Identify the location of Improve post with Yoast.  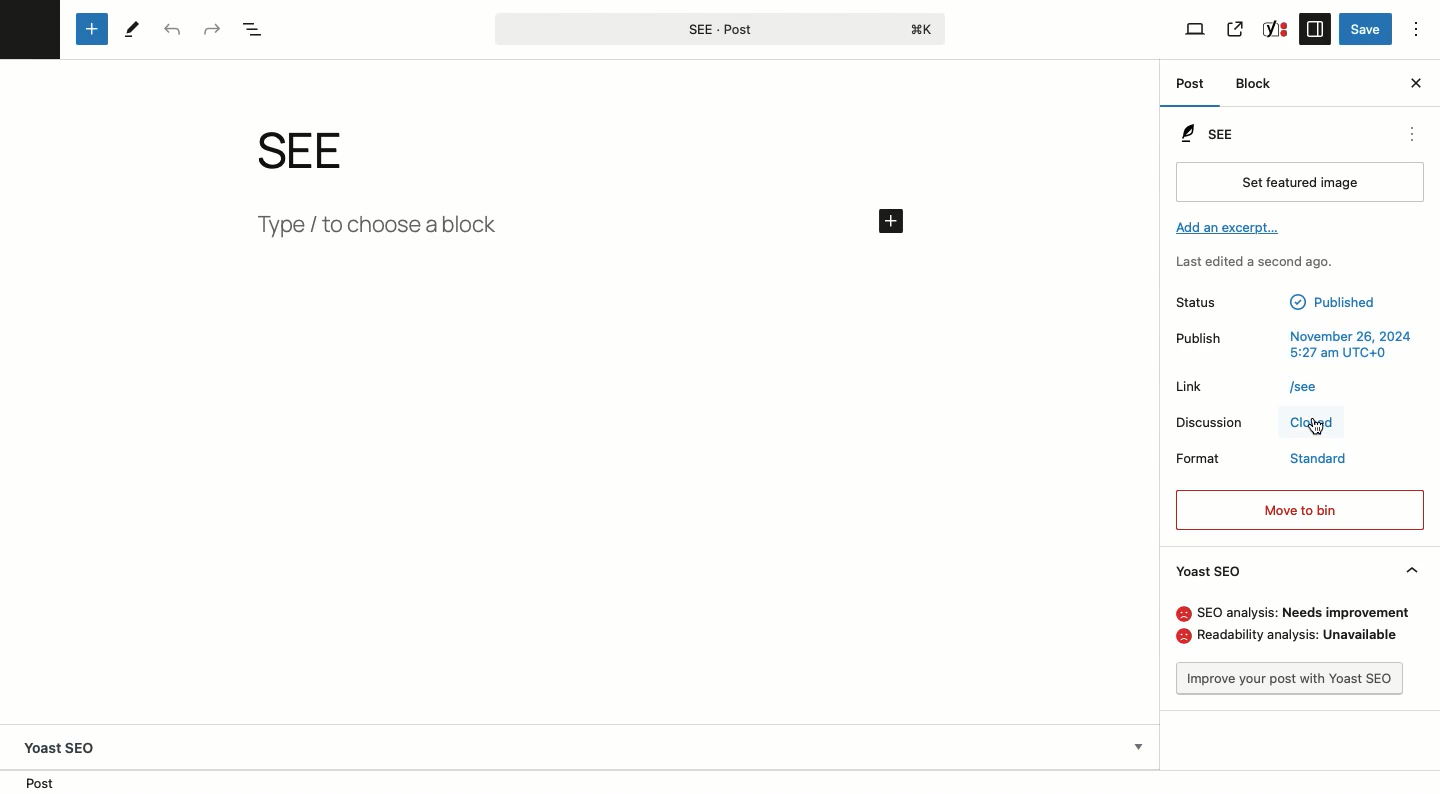
(1290, 680).